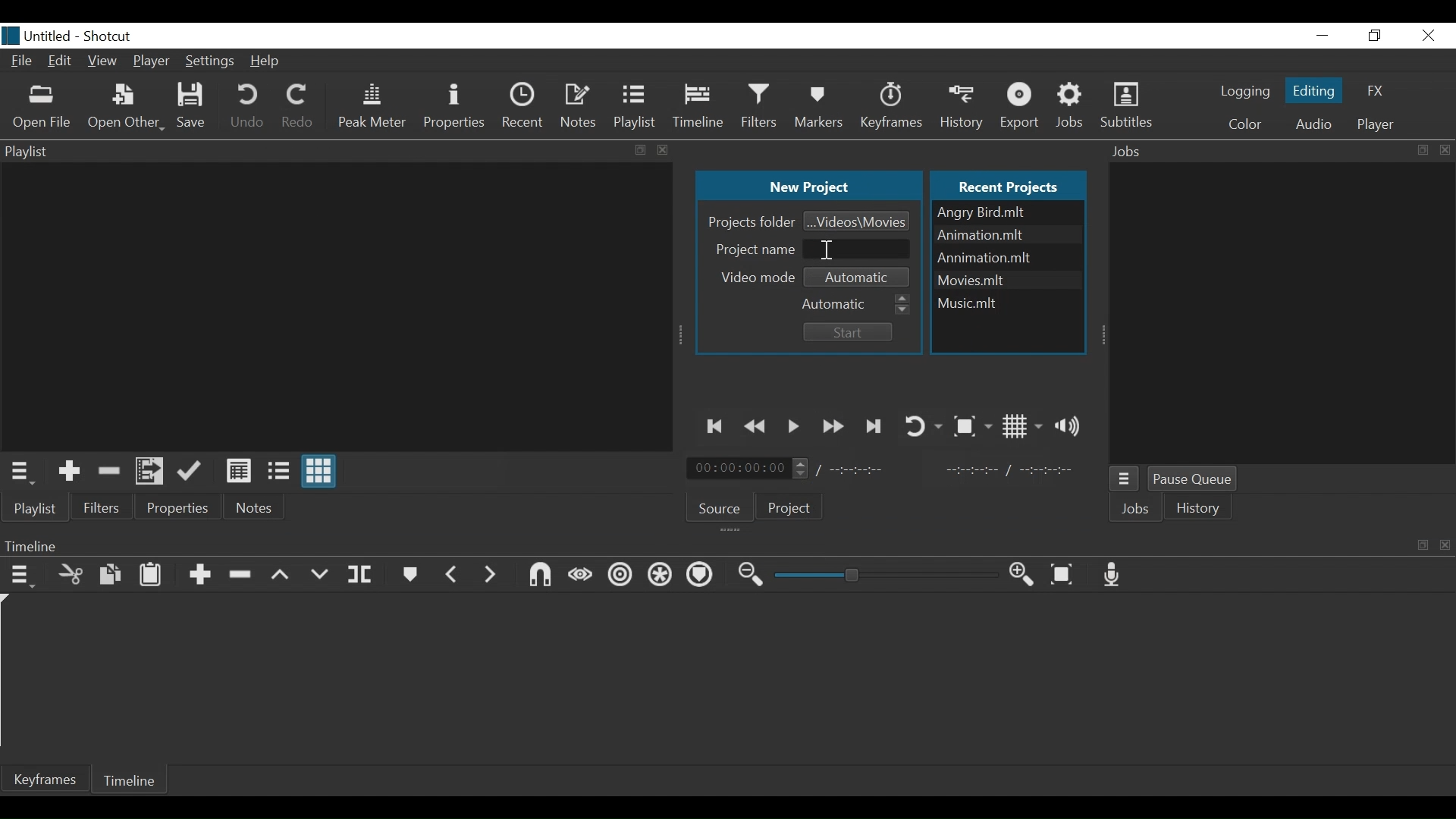 This screenshot has height=819, width=1456. I want to click on Remove cut, so click(108, 470).